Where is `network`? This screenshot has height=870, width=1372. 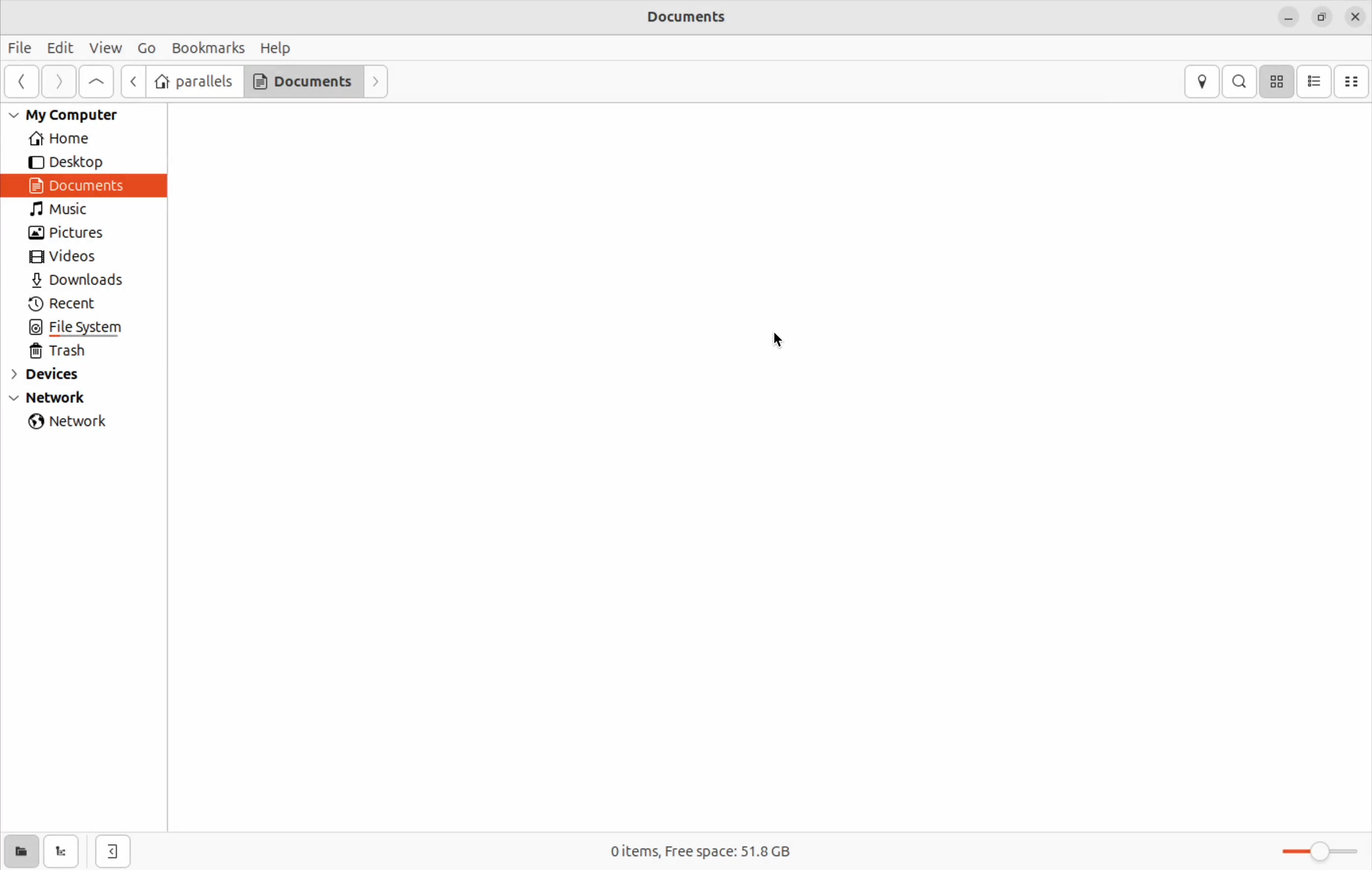
network is located at coordinates (83, 424).